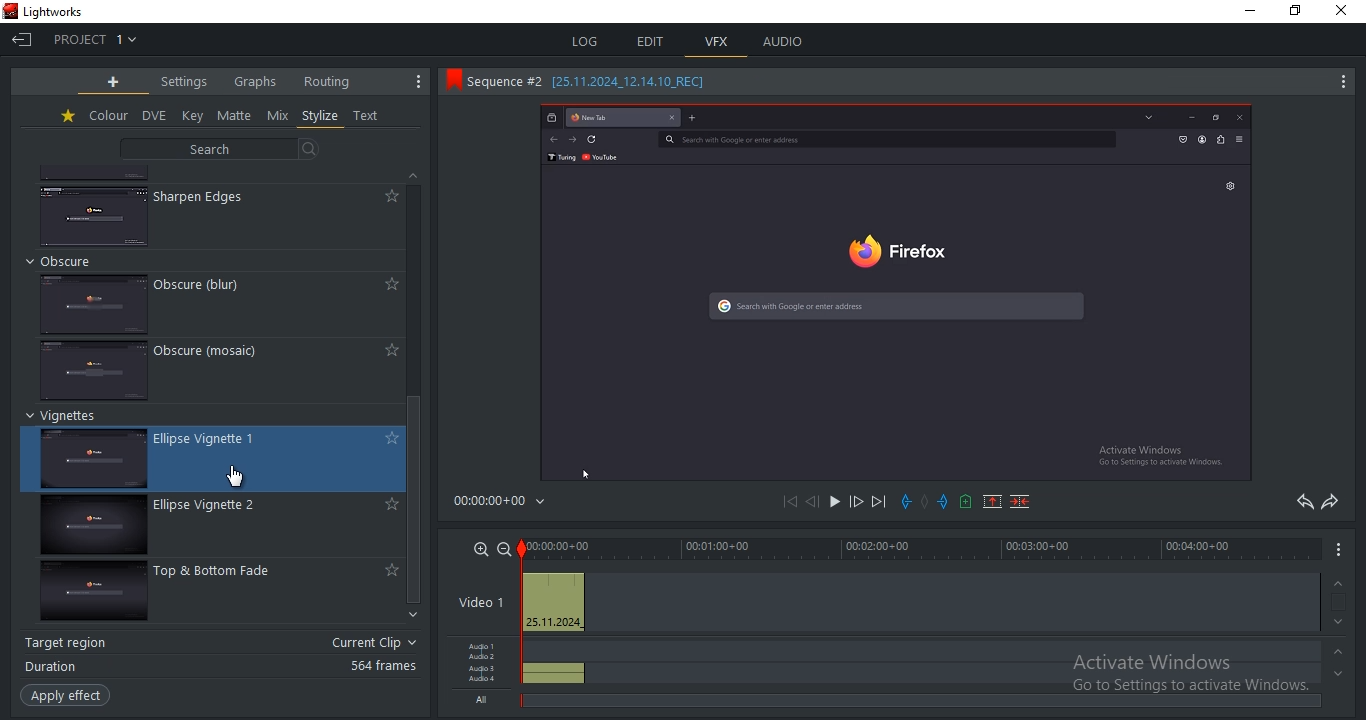 This screenshot has width=1366, height=720. What do you see at coordinates (1342, 655) in the screenshot?
I see `greyed out up arrow` at bounding box center [1342, 655].